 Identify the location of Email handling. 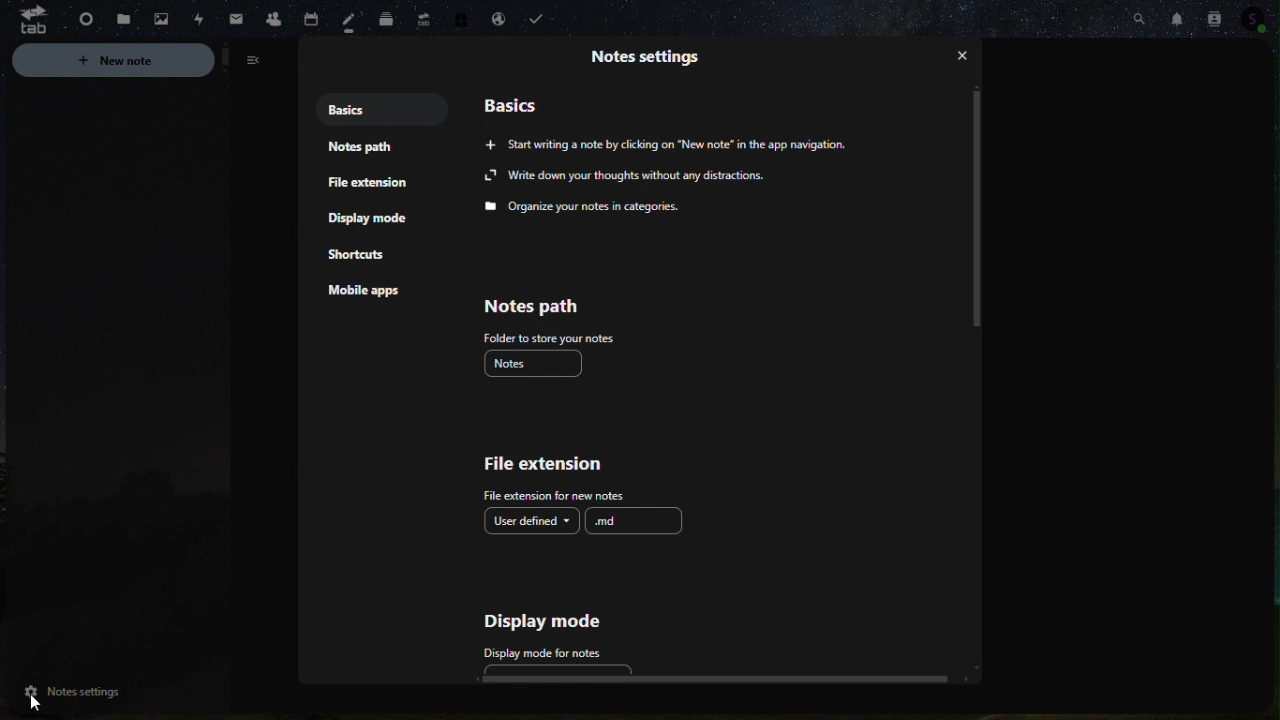
(498, 17).